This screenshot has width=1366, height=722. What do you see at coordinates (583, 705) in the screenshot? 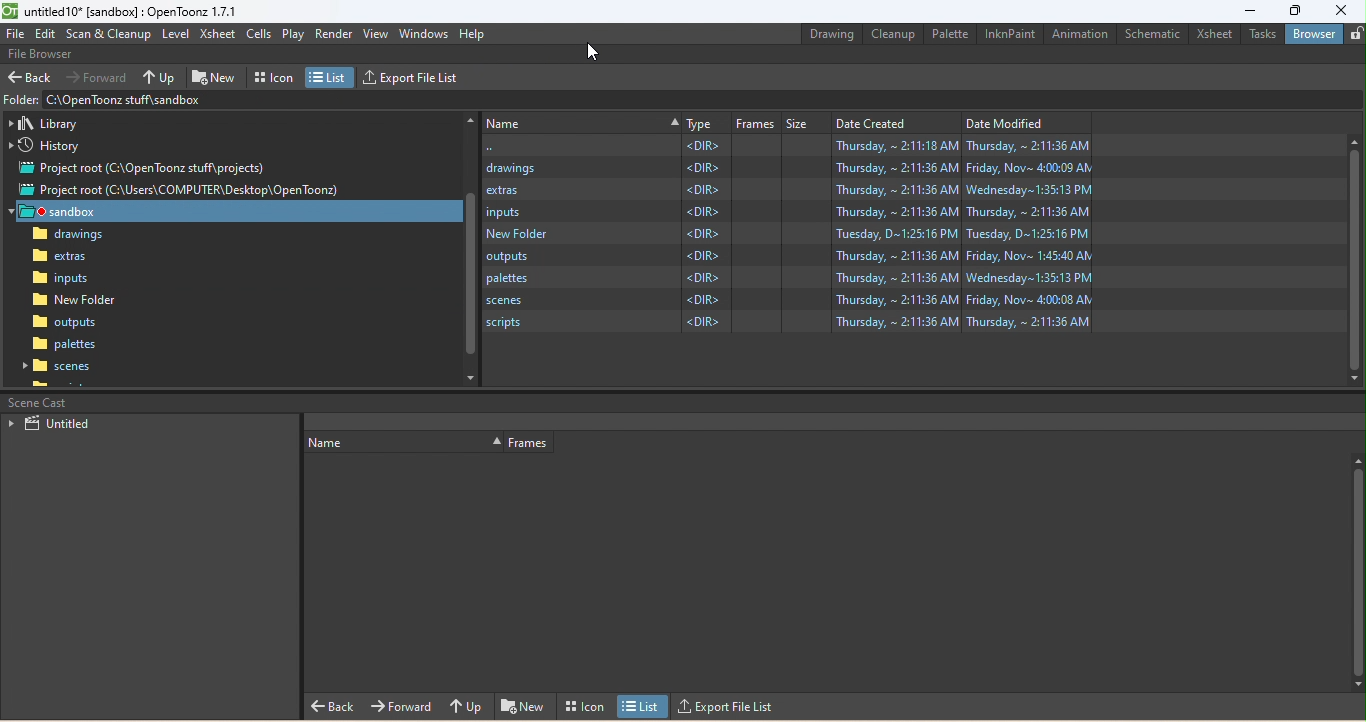
I see `Icon` at bounding box center [583, 705].